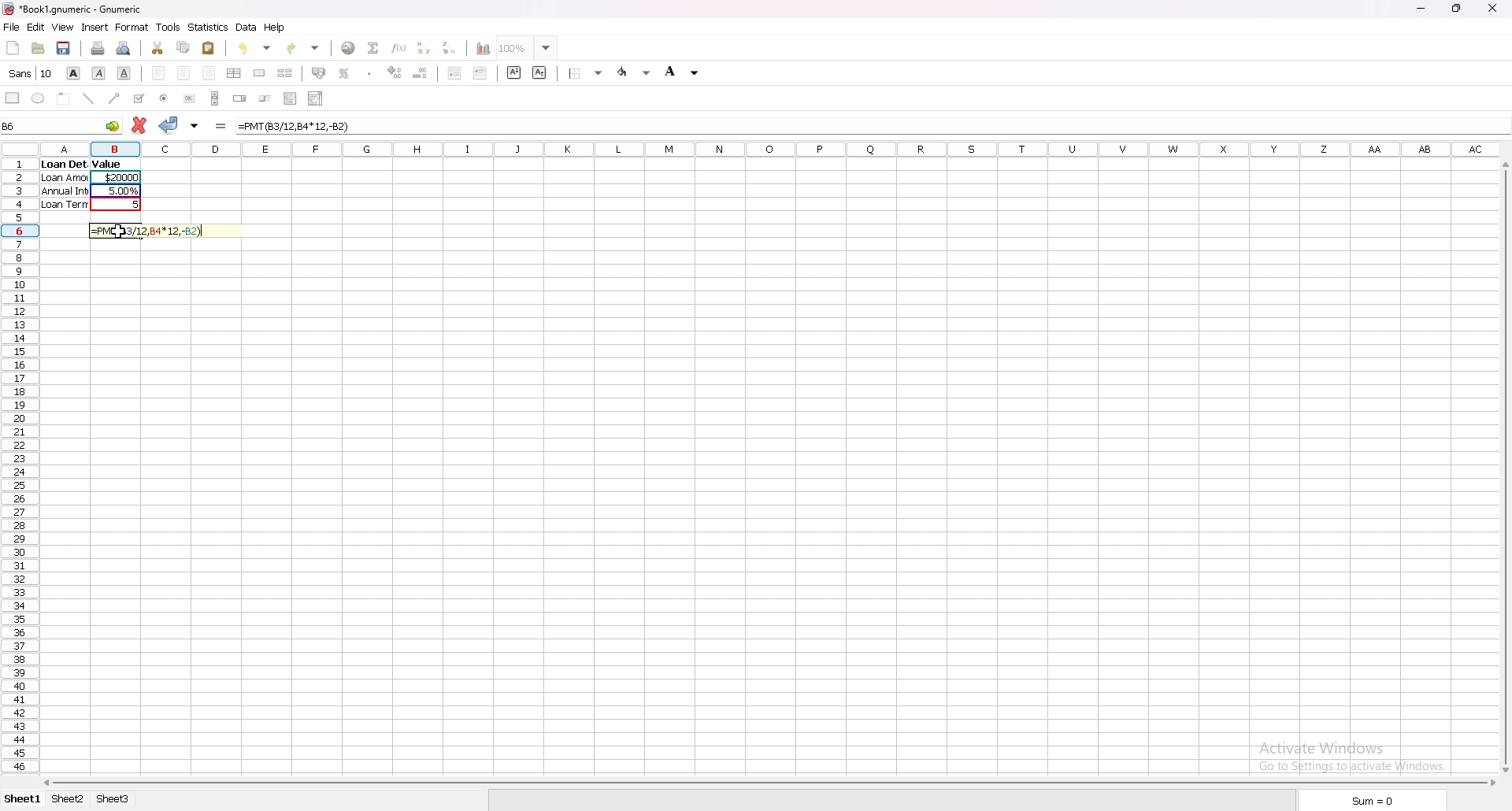  Describe the element at coordinates (89, 99) in the screenshot. I see `line` at that location.